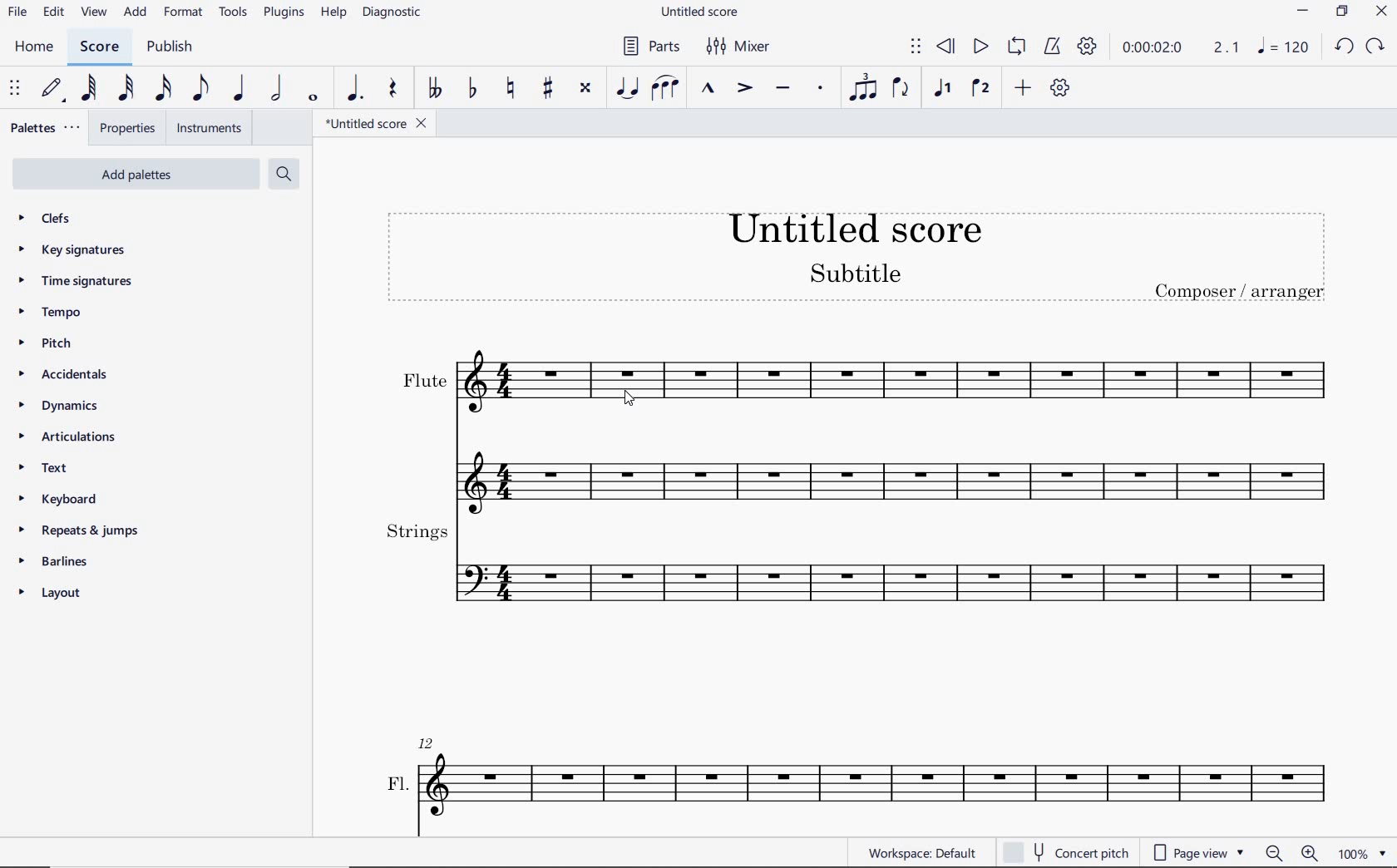 This screenshot has height=868, width=1397. Describe the element at coordinates (68, 502) in the screenshot. I see `keyboard` at that location.